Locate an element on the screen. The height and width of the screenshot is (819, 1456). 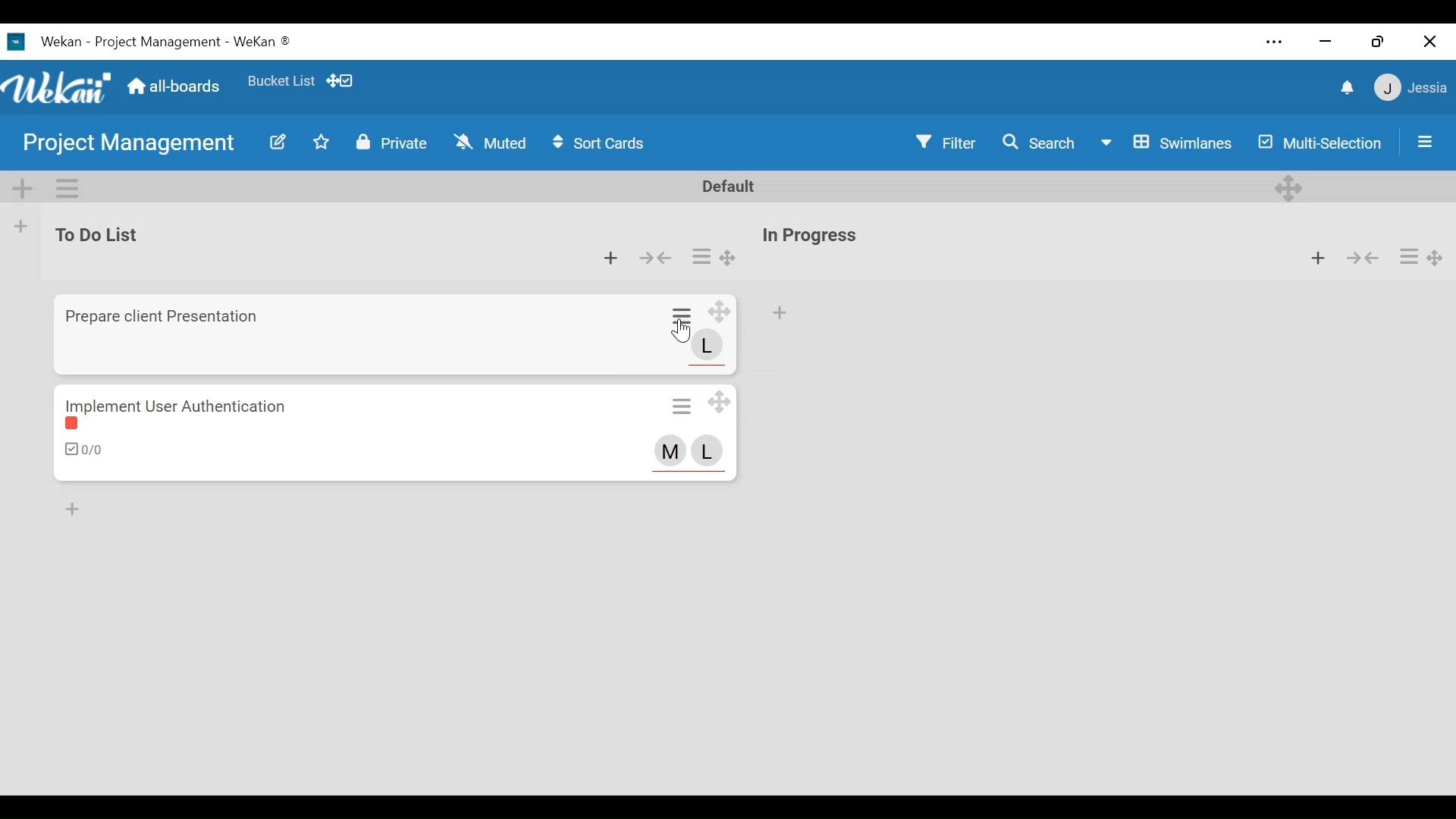
Desktop drag handle is located at coordinates (730, 258).